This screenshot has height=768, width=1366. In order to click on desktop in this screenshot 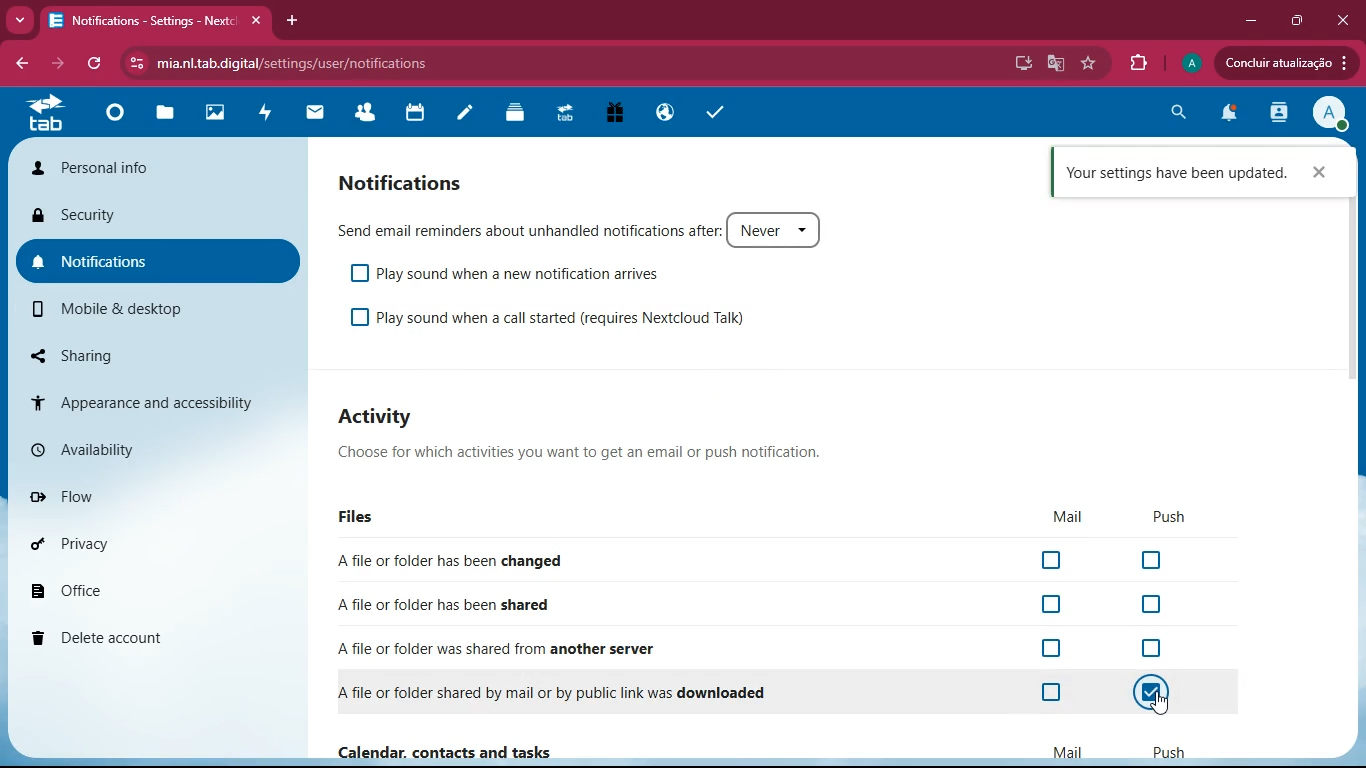, I will do `click(1023, 65)`.